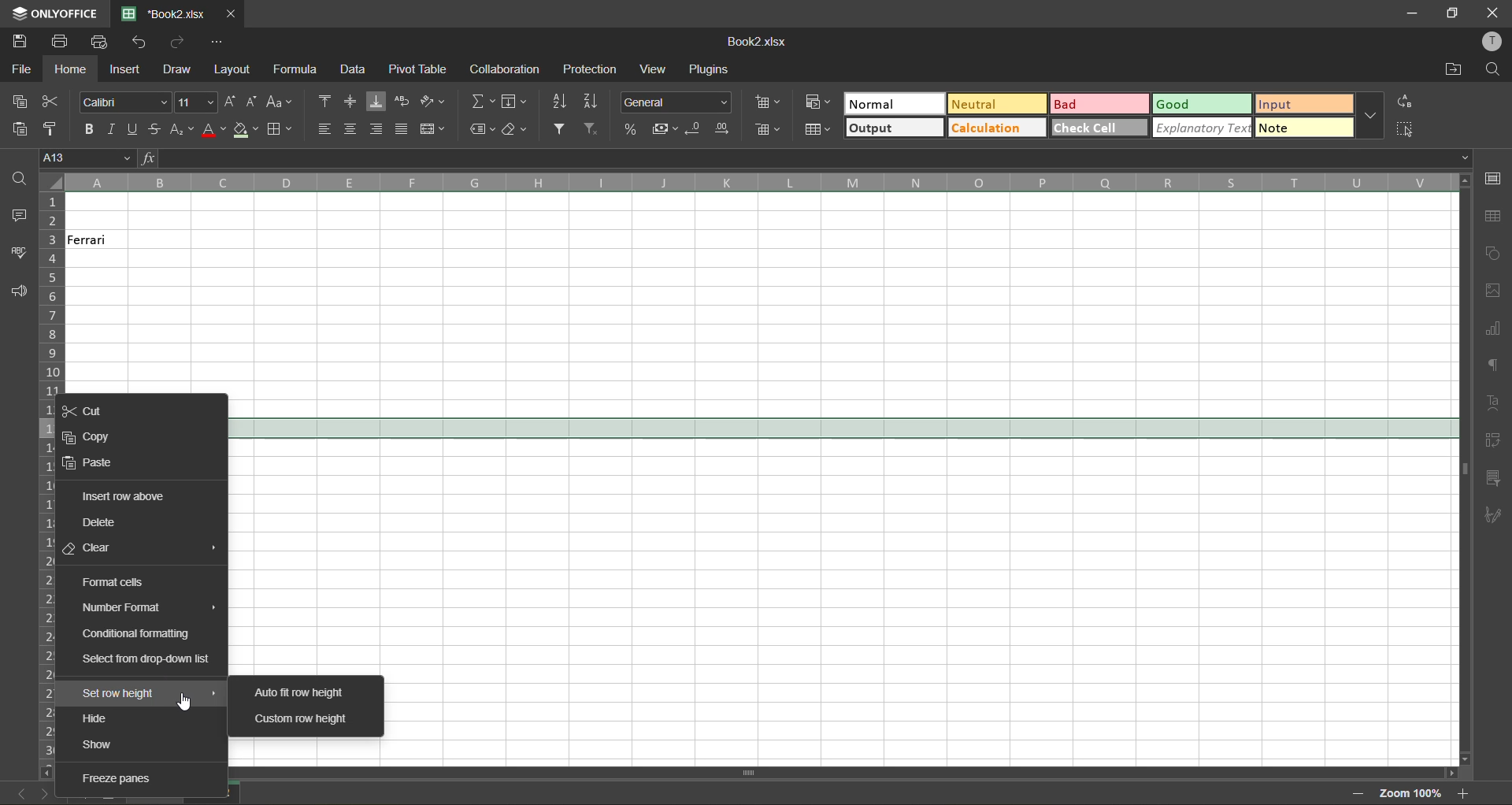 The image size is (1512, 805). Describe the element at coordinates (1494, 369) in the screenshot. I see `paragraph` at that location.